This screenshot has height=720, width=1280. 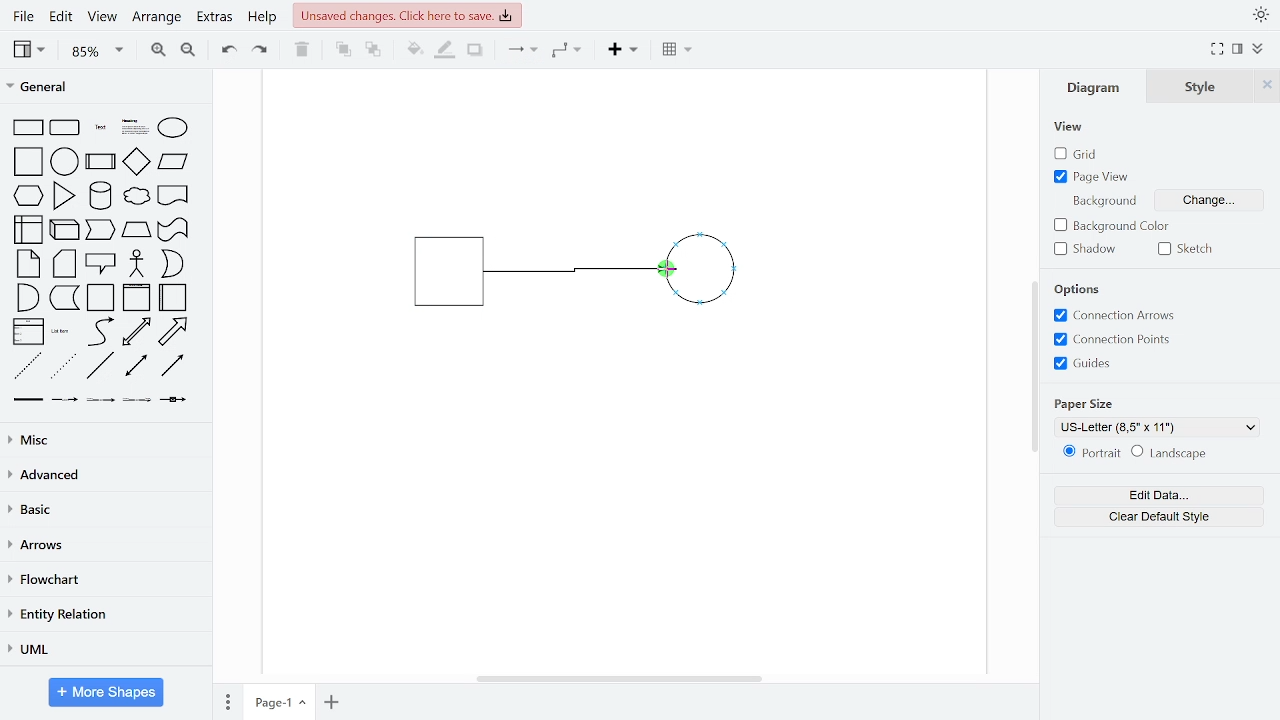 What do you see at coordinates (65, 297) in the screenshot?
I see `data storage` at bounding box center [65, 297].